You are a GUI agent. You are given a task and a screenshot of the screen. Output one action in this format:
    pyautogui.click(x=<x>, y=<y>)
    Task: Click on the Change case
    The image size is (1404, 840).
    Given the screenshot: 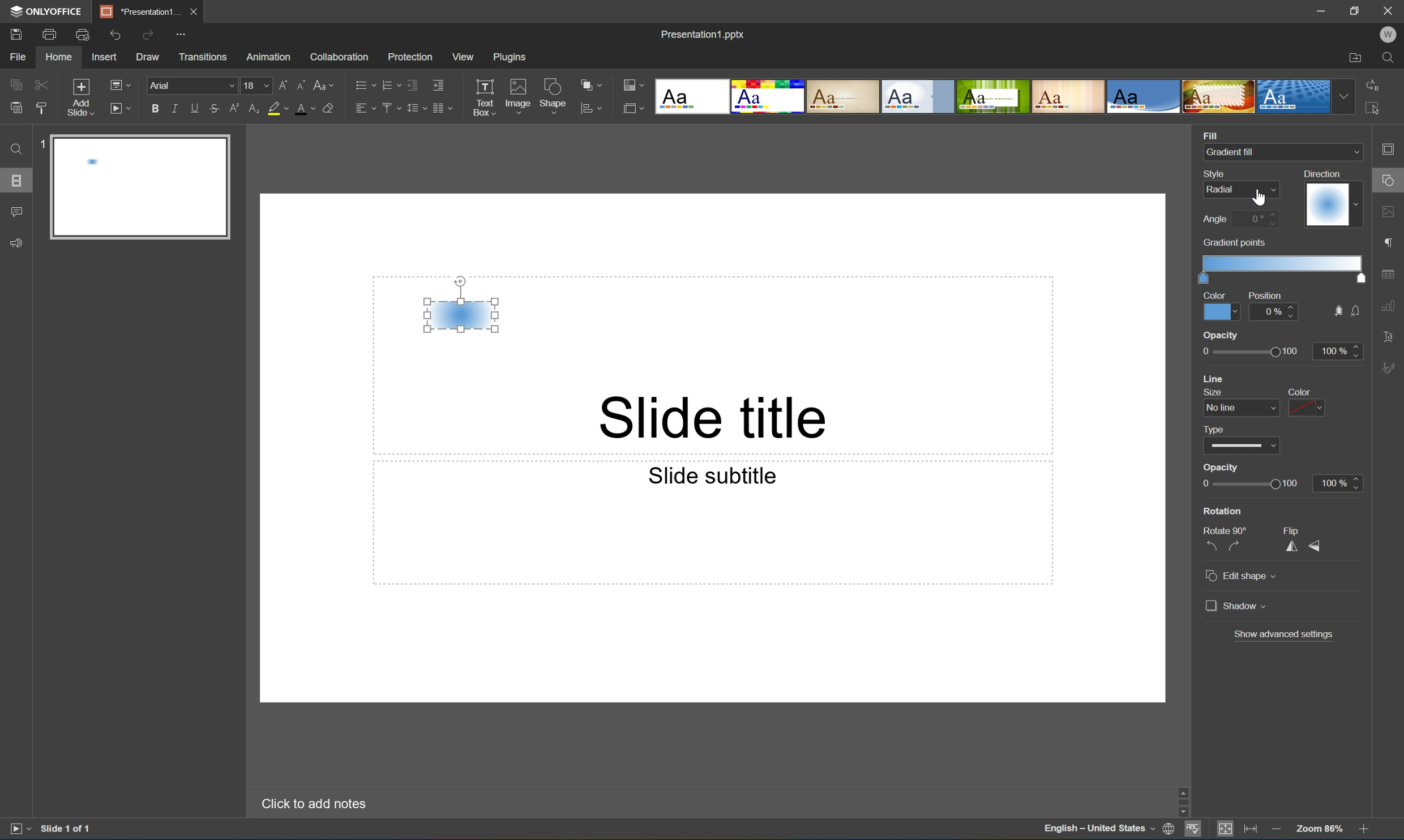 What is the action you would take?
    pyautogui.click(x=324, y=82)
    